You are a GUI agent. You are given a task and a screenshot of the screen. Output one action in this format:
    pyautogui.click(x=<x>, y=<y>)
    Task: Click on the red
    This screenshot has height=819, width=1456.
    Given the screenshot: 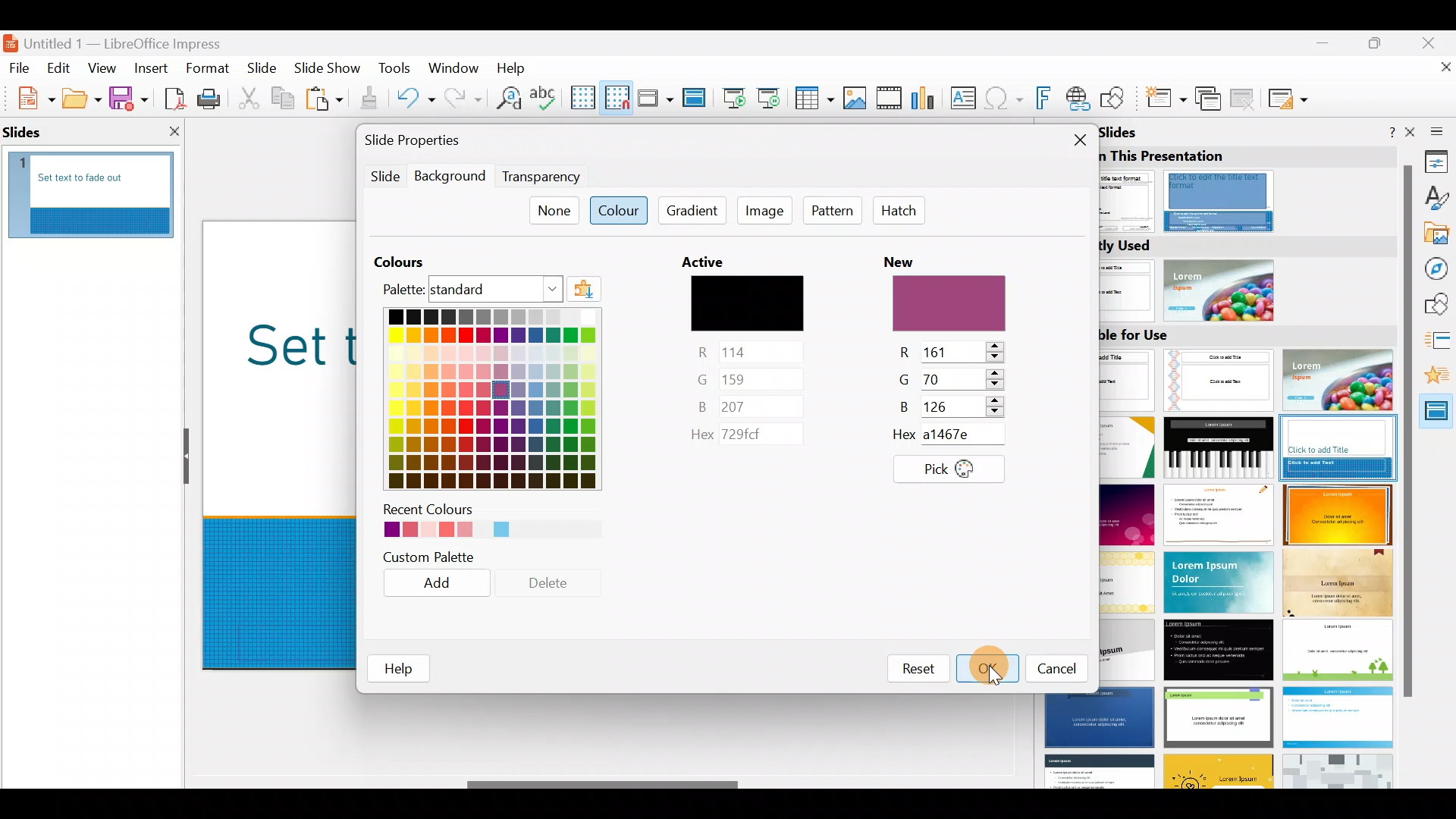 What is the action you would take?
    pyautogui.click(x=953, y=351)
    